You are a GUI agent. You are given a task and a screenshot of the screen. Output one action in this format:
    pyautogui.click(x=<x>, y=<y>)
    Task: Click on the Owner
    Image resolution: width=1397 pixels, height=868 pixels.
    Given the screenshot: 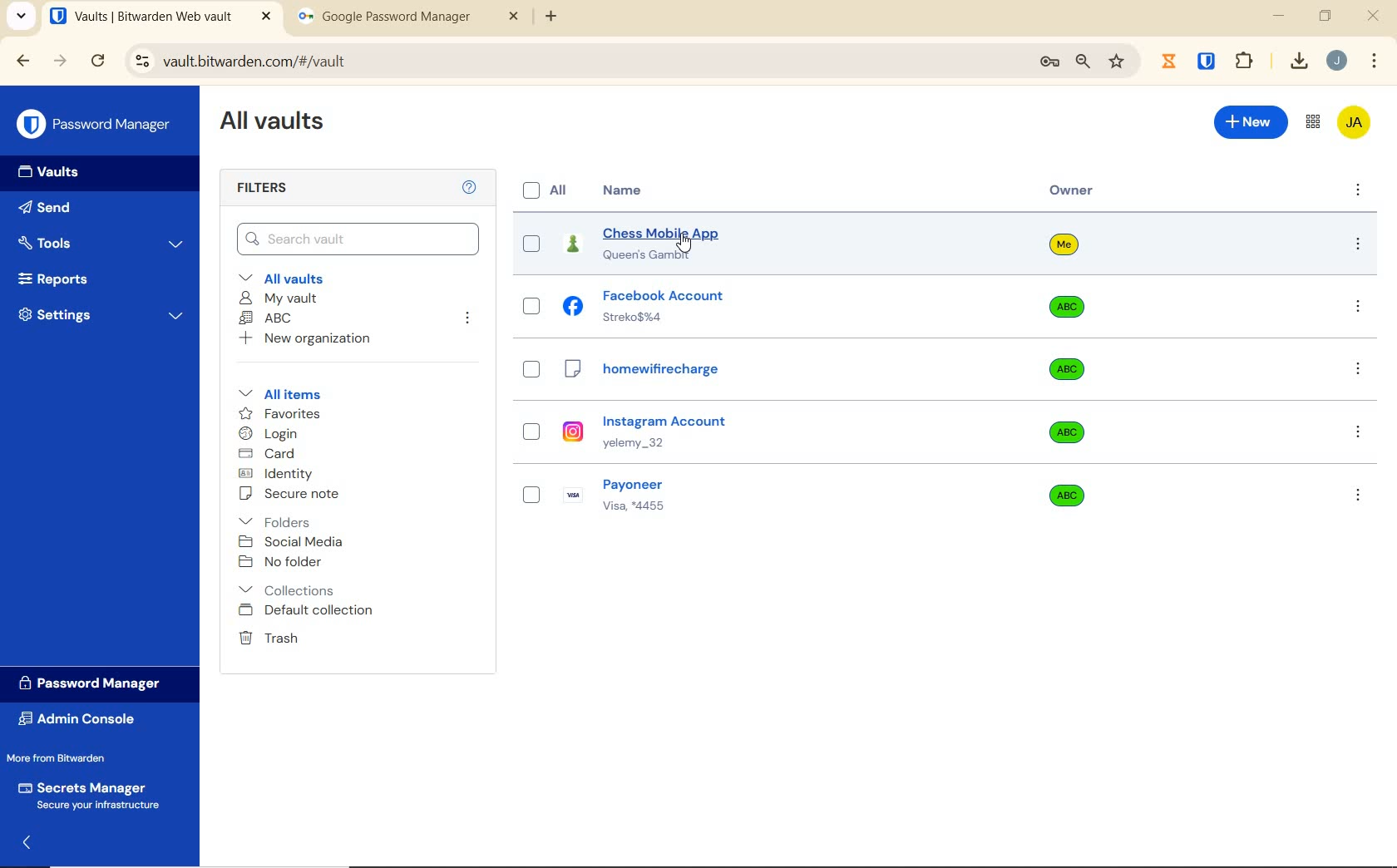 What is the action you would take?
    pyautogui.click(x=1069, y=190)
    